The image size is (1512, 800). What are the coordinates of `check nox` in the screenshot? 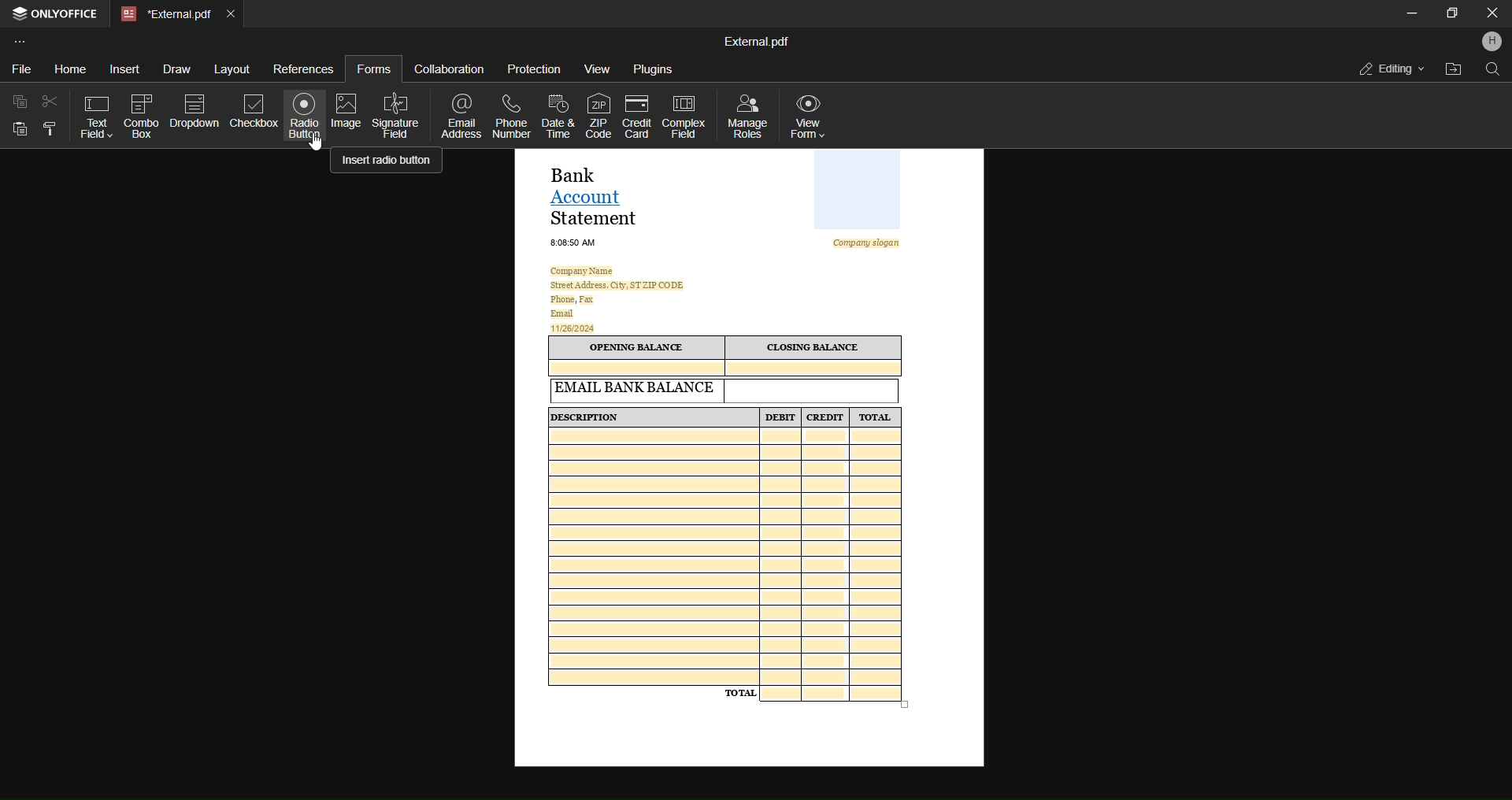 It's located at (252, 109).